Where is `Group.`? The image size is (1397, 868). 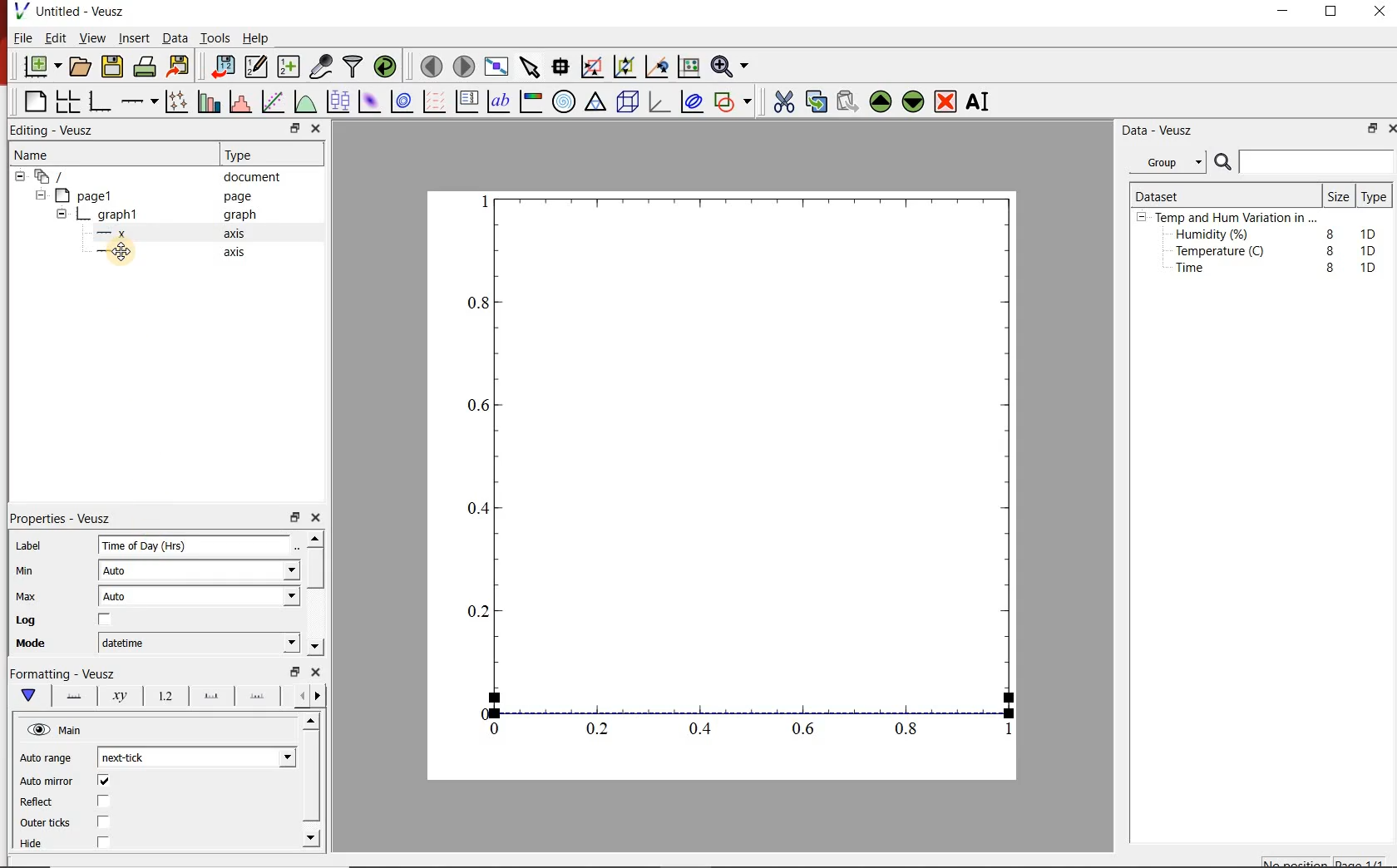 Group. is located at coordinates (1171, 159).